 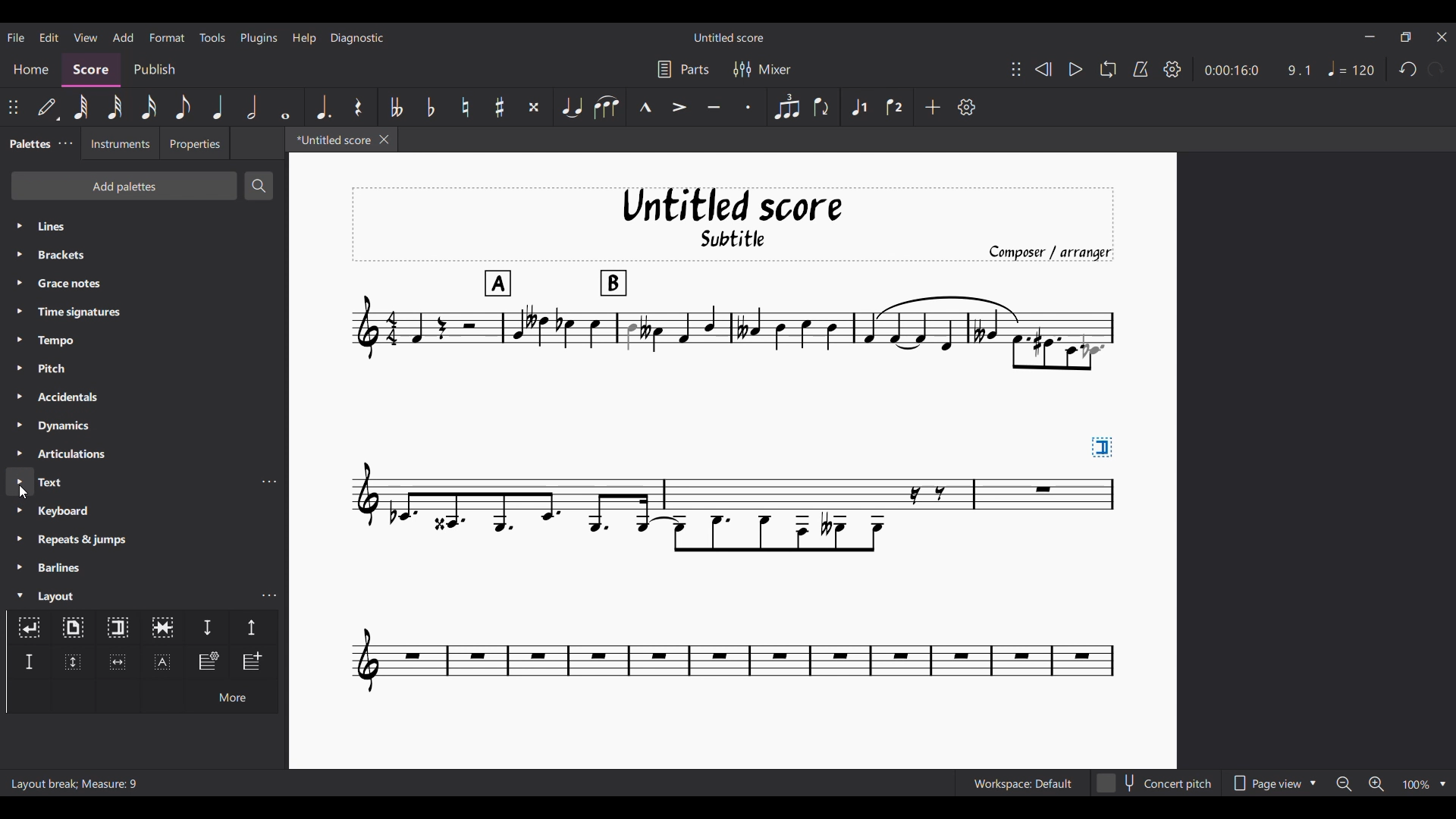 I want to click on Zoom options, so click(x=1425, y=783).